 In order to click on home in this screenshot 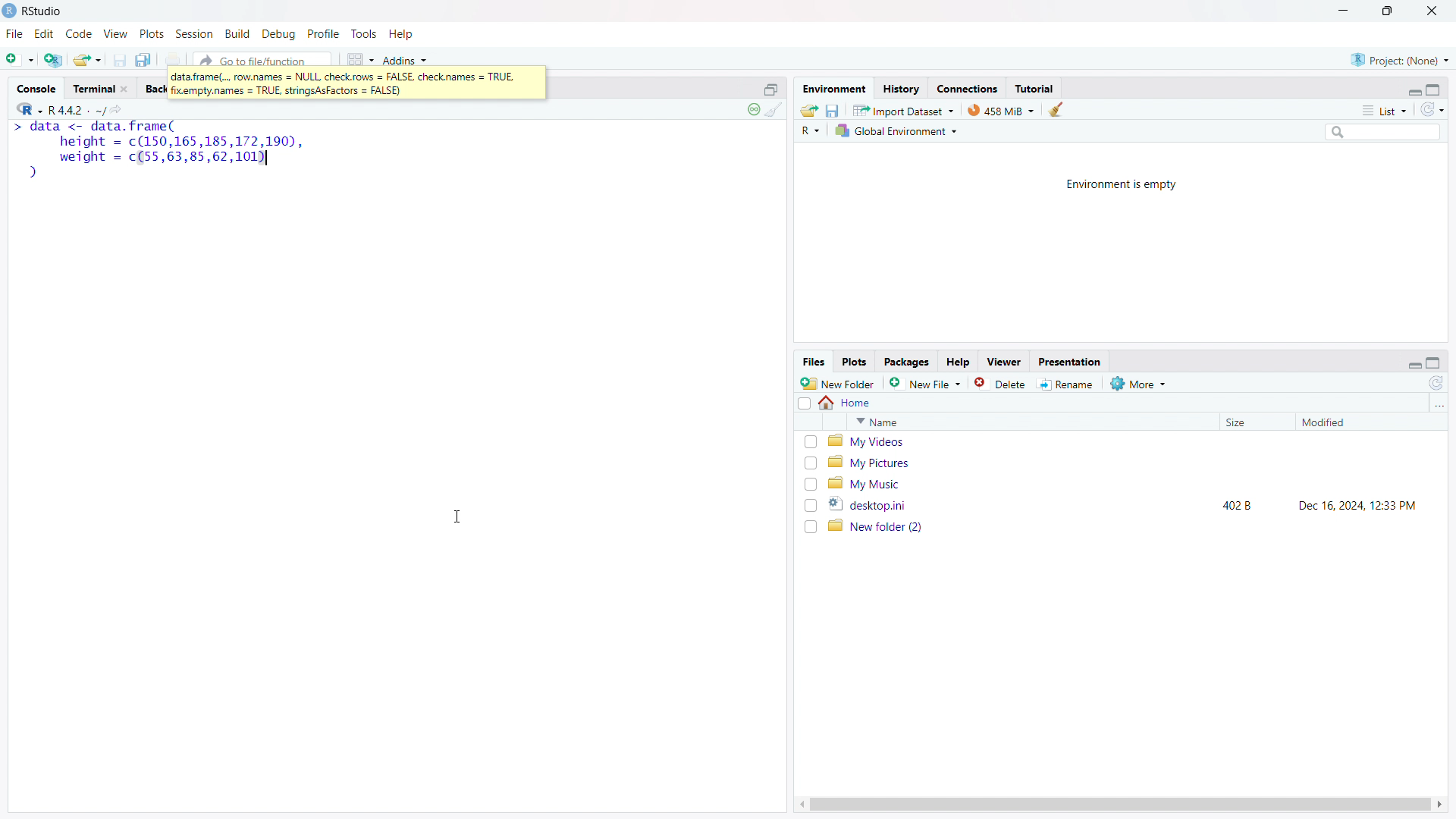, I will do `click(846, 403)`.